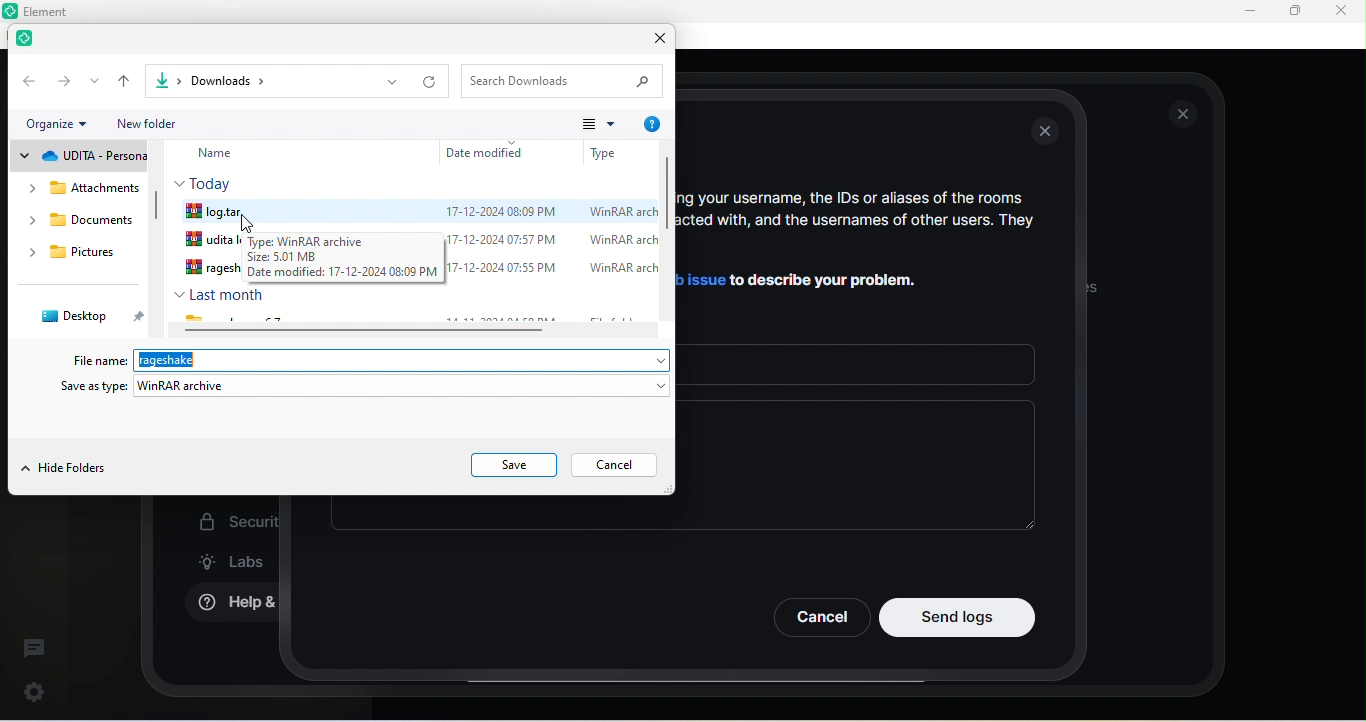 This screenshot has width=1366, height=722. Describe the element at coordinates (504, 239) in the screenshot. I see `17-12-2024 07:57 PM` at that location.